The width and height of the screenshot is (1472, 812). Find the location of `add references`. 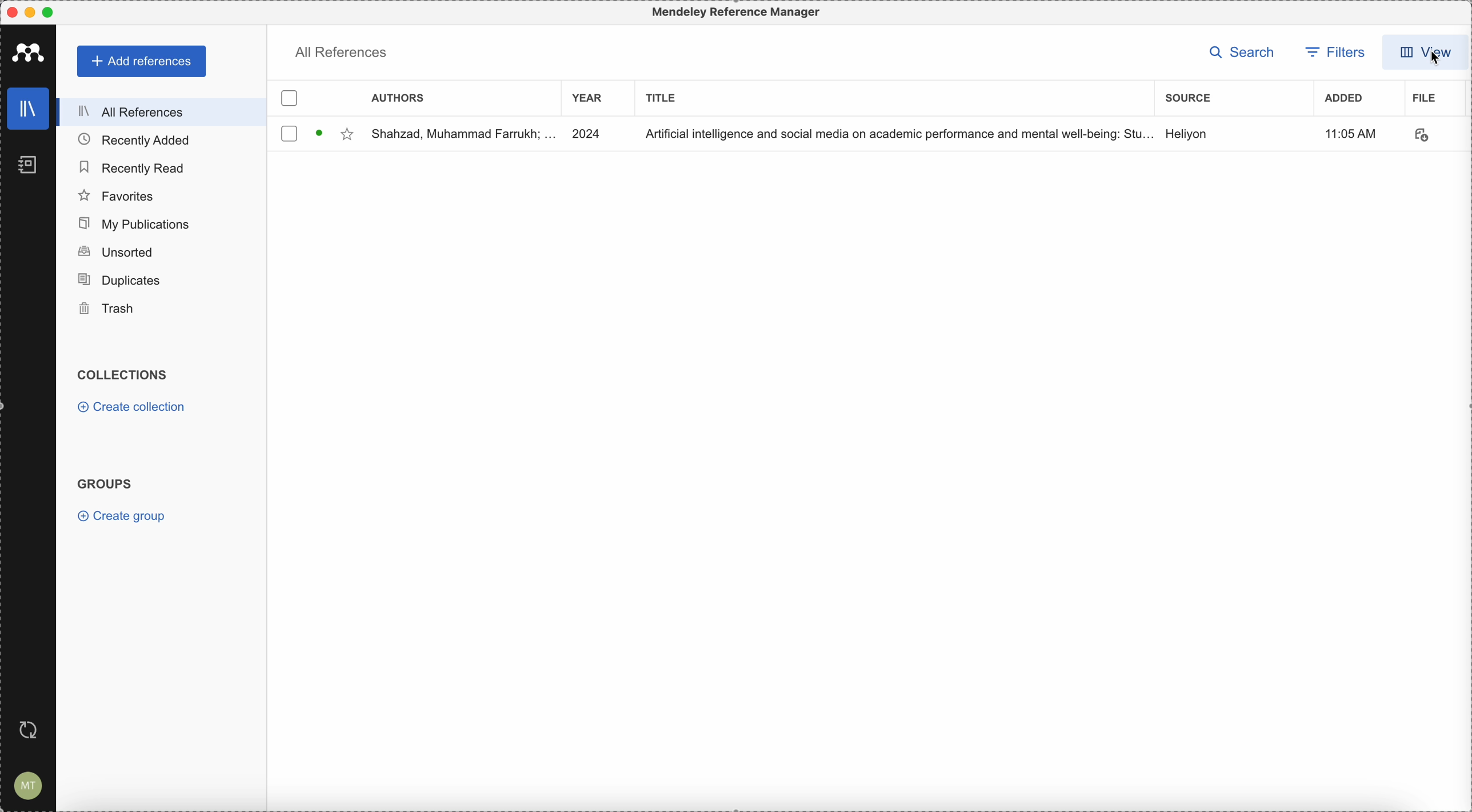

add references is located at coordinates (141, 61).